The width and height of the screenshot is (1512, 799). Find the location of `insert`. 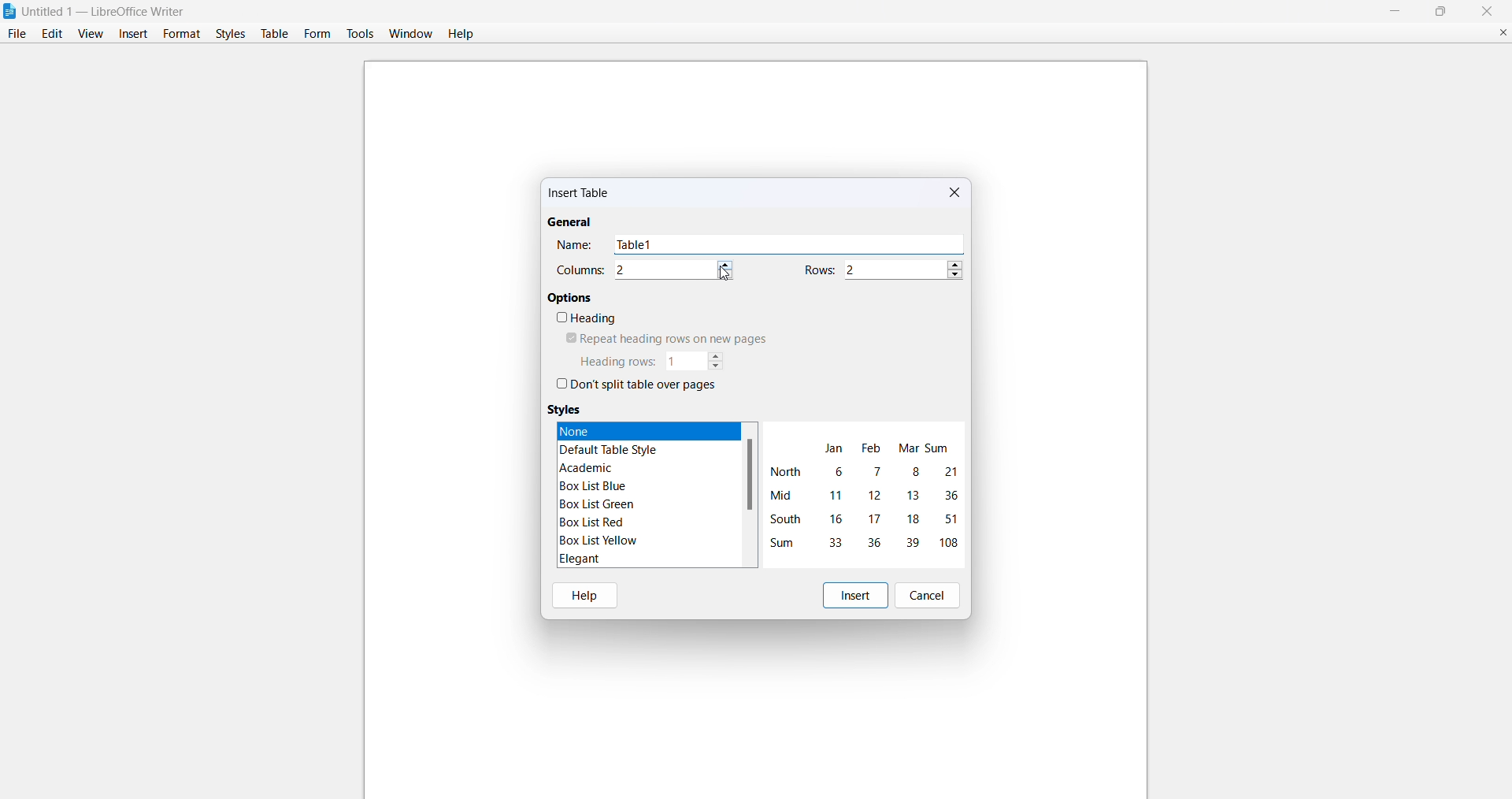

insert is located at coordinates (854, 594).